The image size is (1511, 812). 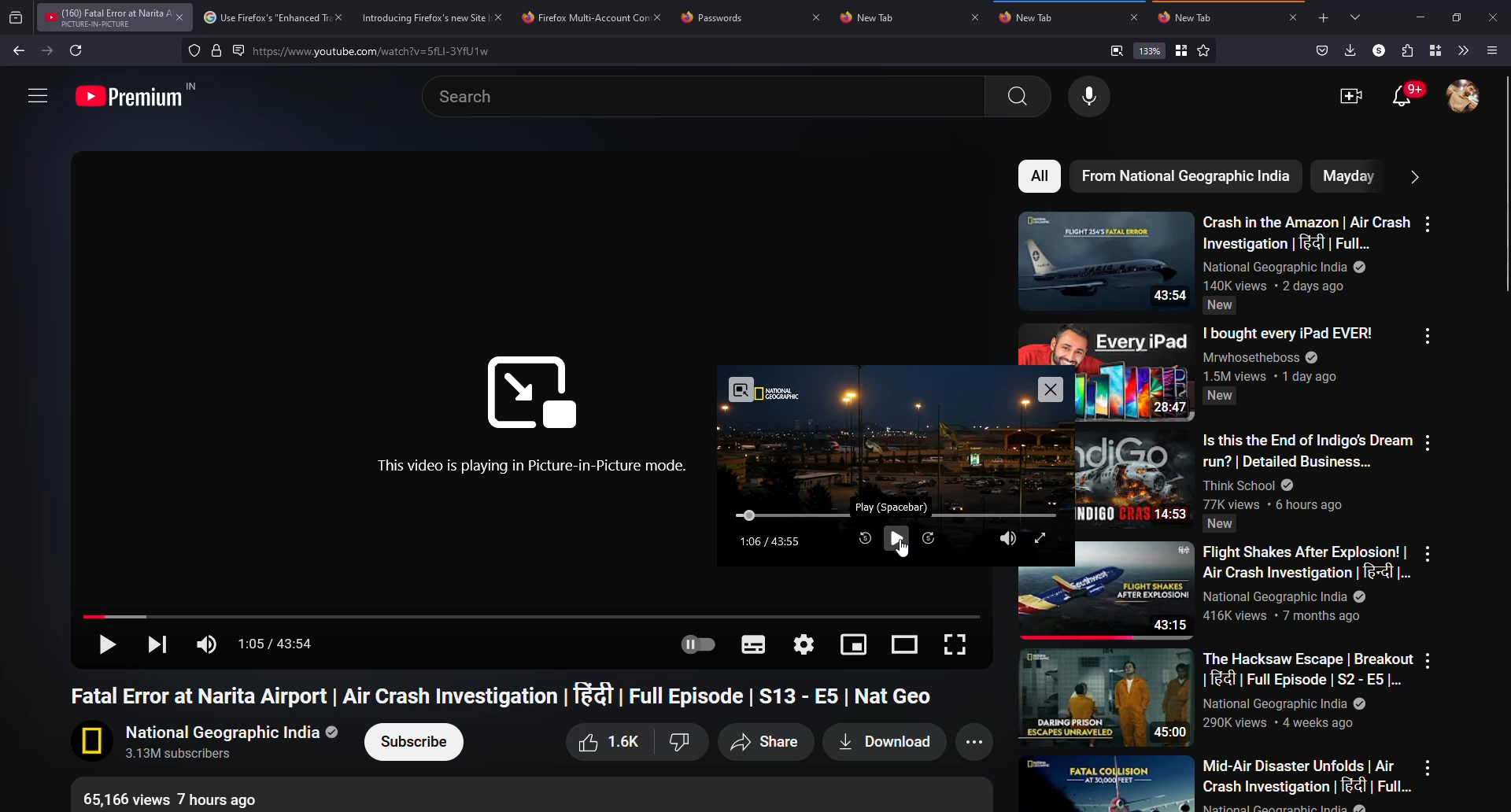 I want to click on close, so click(x=1132, y=17).